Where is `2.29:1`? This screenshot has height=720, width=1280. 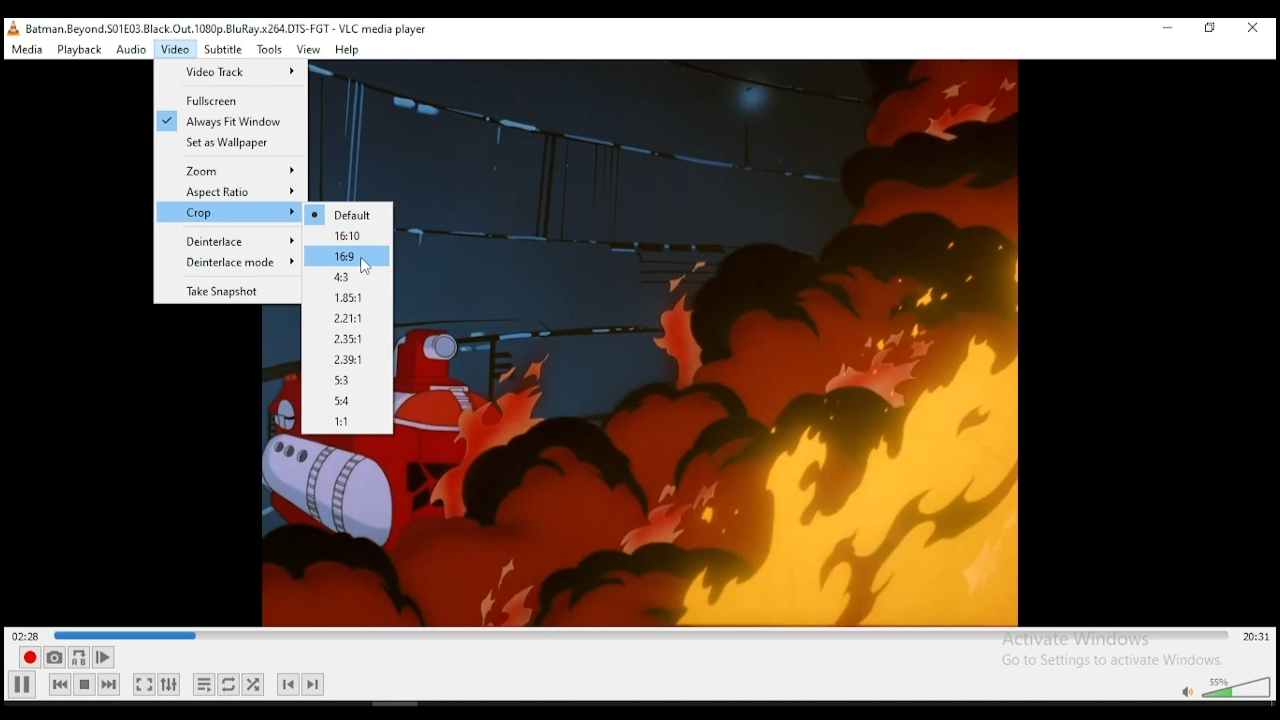
2.29:1 is located at coordinates (347, 359).